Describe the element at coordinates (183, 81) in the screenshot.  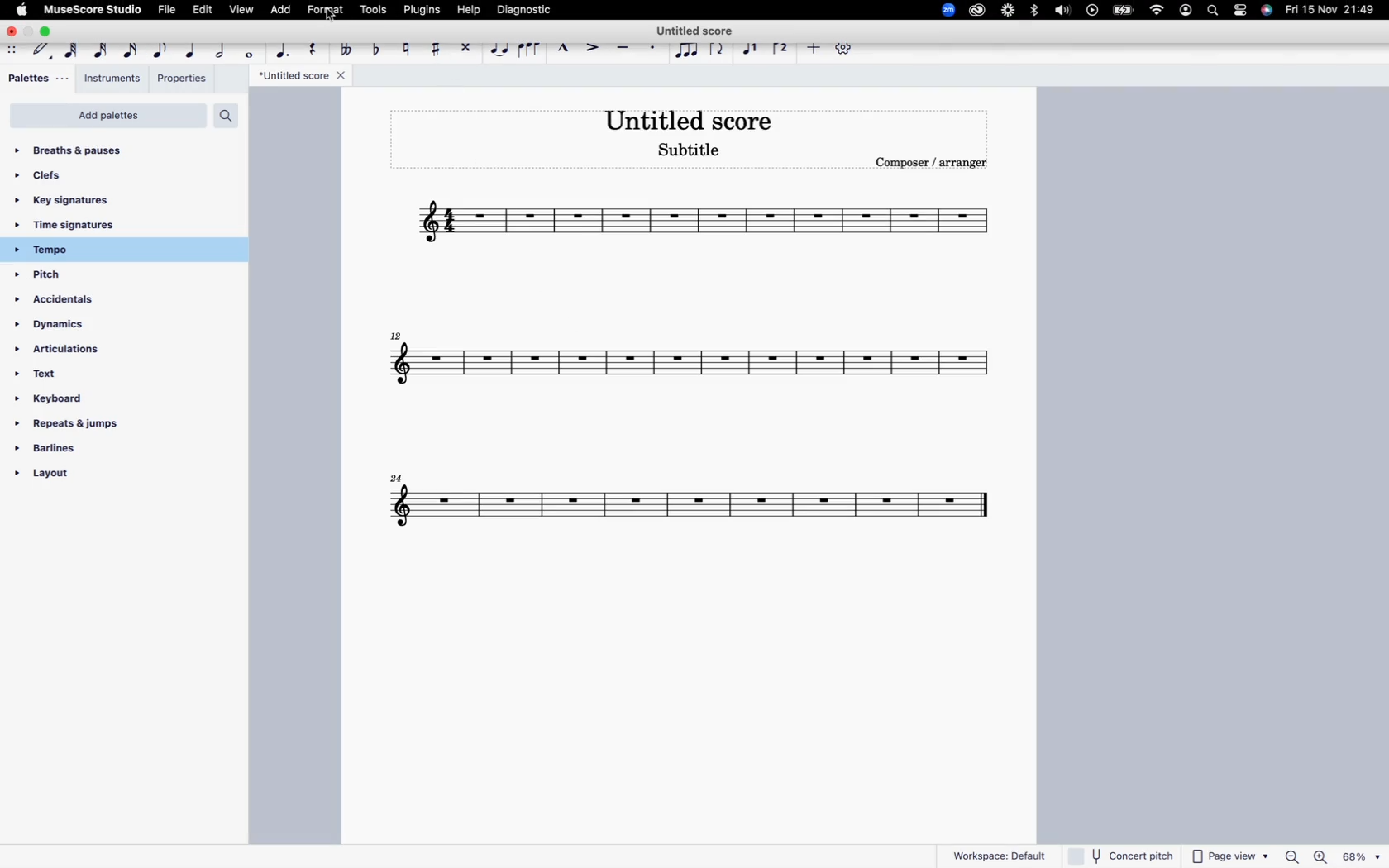
I see `properties` at that location.